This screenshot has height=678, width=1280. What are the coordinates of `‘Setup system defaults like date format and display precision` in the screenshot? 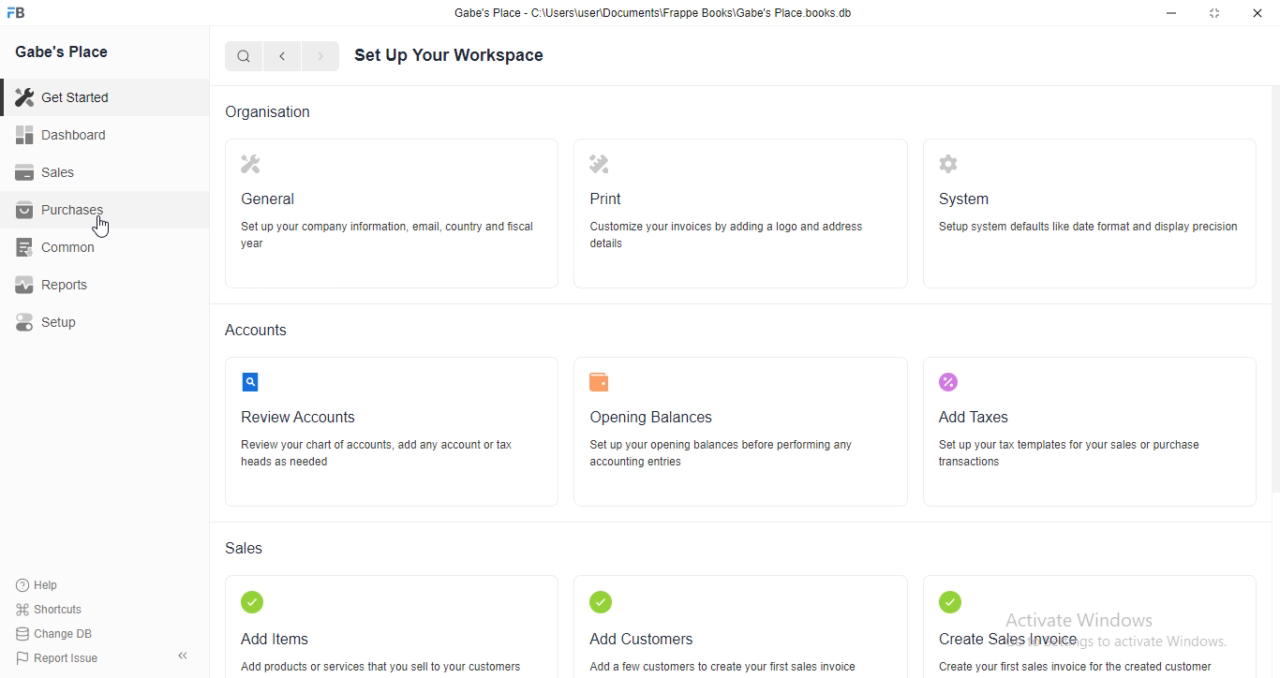 It's located at (1090, 230).